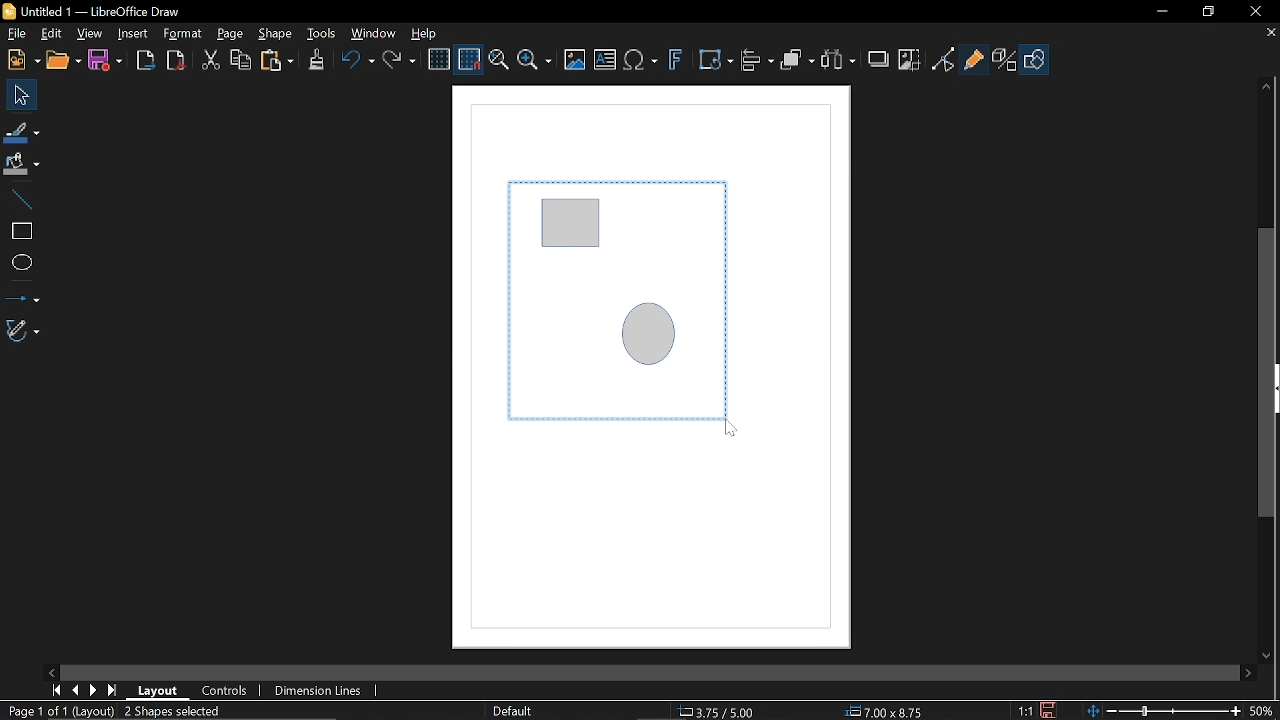 Image resolution: width=1280 pixels, height=720 pixels. I want to click on Copy, so click(239, 60).